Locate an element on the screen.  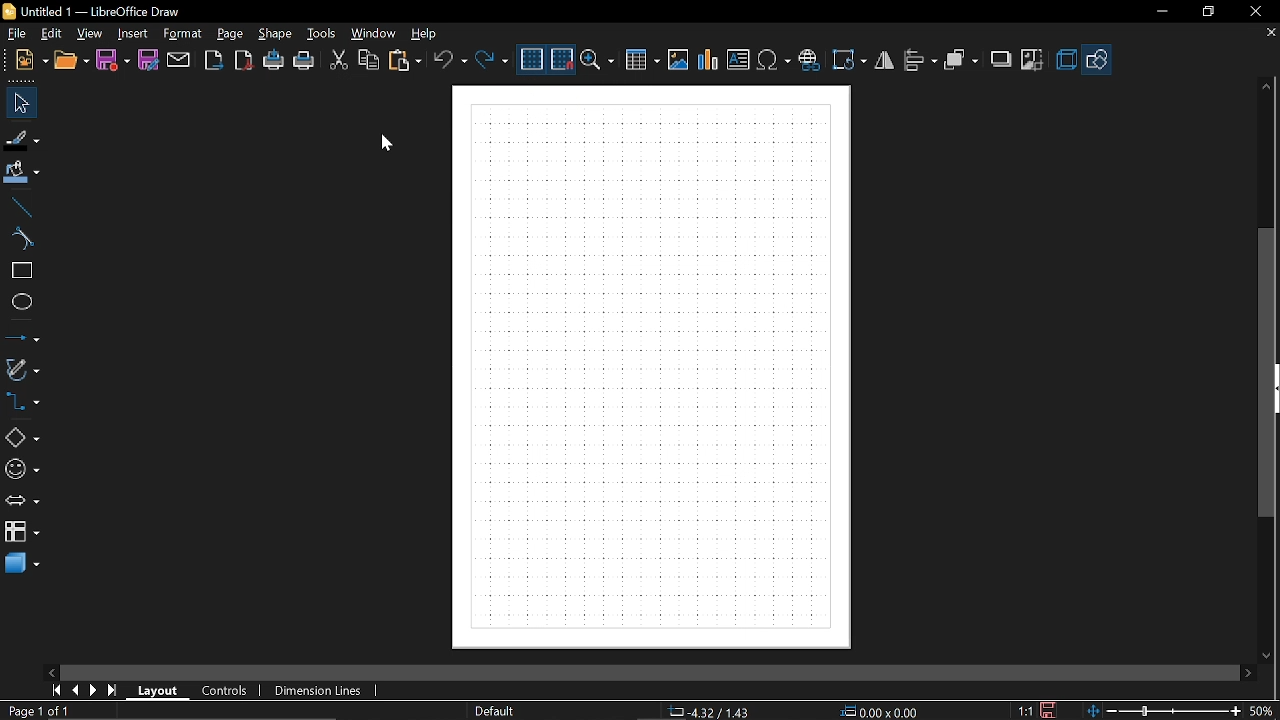
page style is located at coordinates (498, 712).